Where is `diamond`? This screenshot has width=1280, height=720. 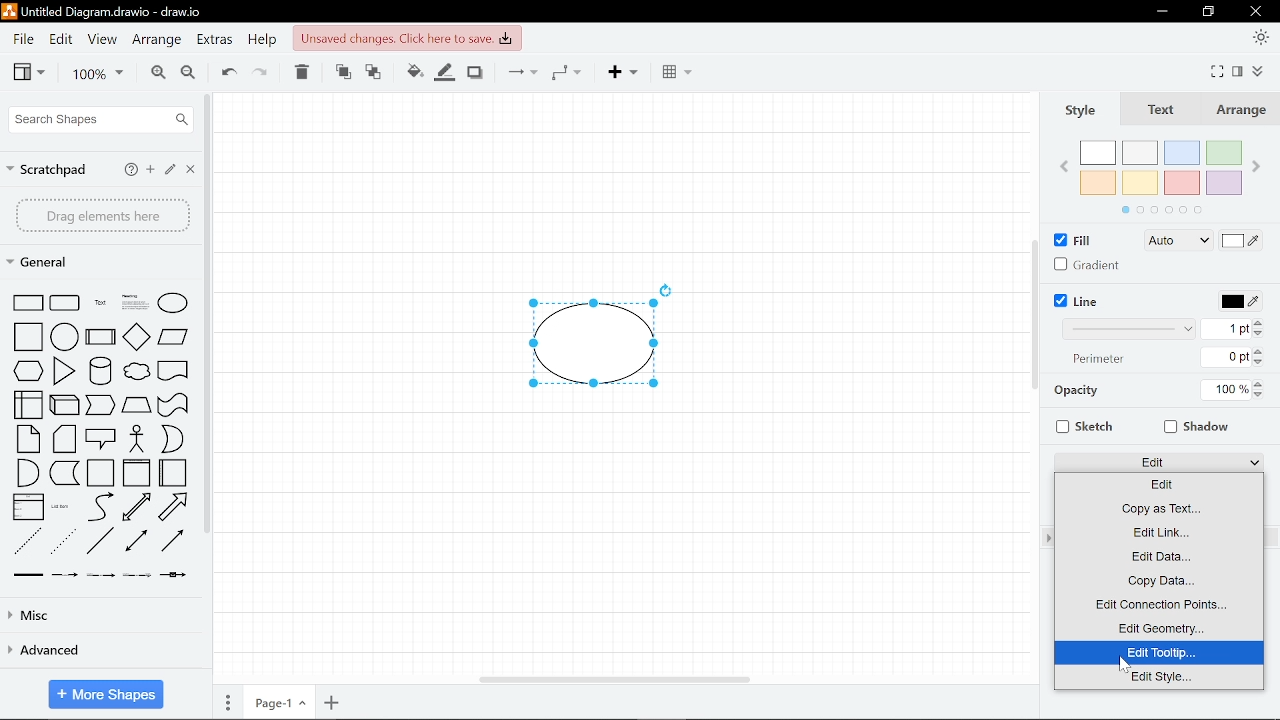
diamond is located at coordinates (136, 336).